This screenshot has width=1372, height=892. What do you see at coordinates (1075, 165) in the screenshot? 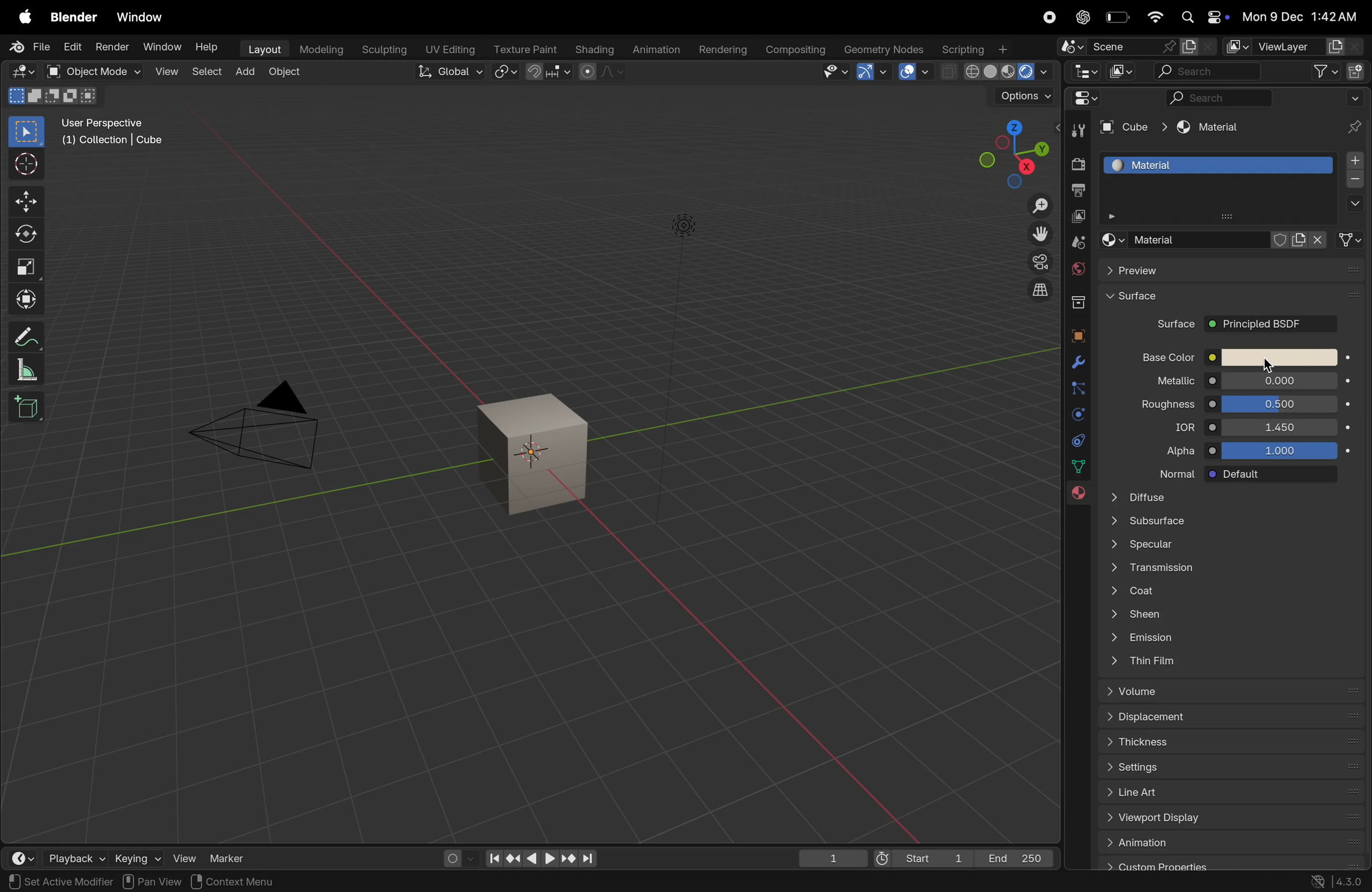
I see `render` at bounding box center [1075, 165].